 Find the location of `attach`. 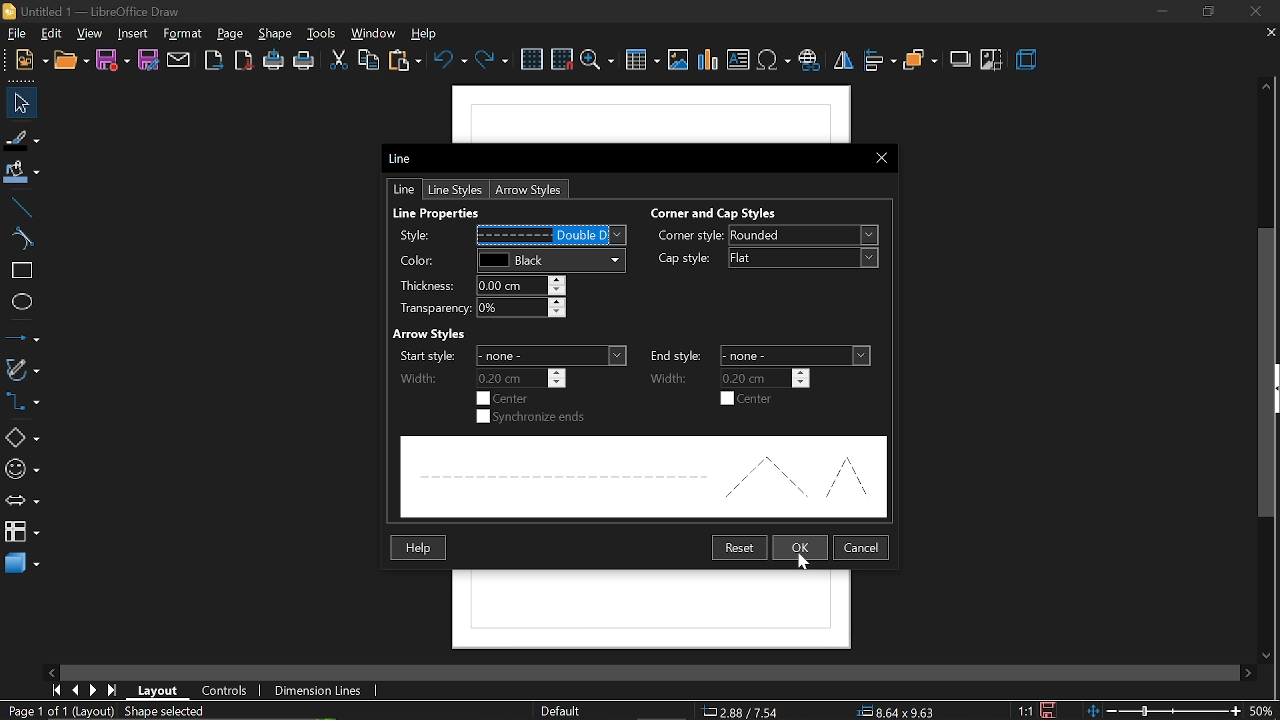

attach is located at coordinates (180, 60).